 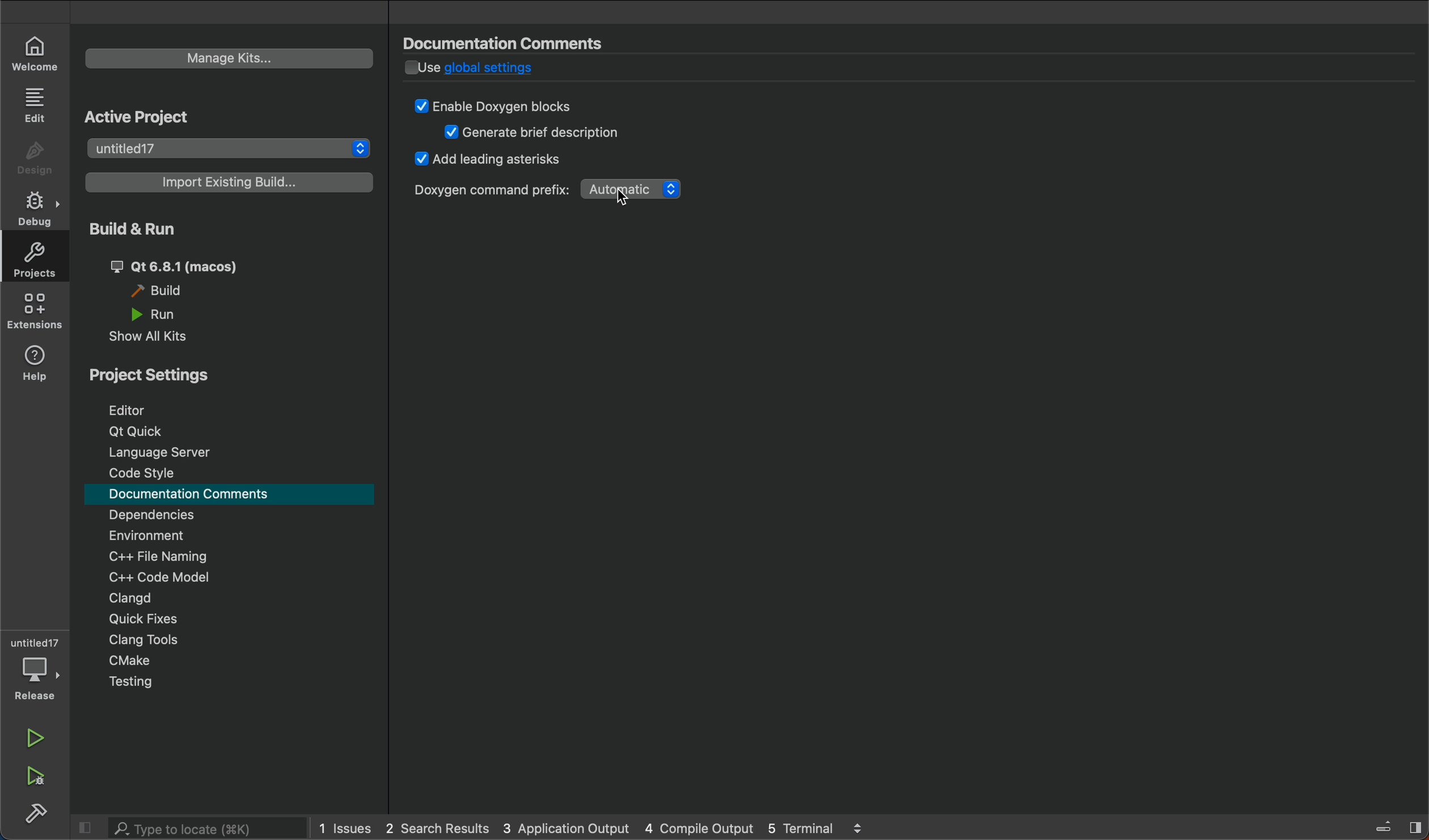 I want to click on enable, so click(x=505, y=105).